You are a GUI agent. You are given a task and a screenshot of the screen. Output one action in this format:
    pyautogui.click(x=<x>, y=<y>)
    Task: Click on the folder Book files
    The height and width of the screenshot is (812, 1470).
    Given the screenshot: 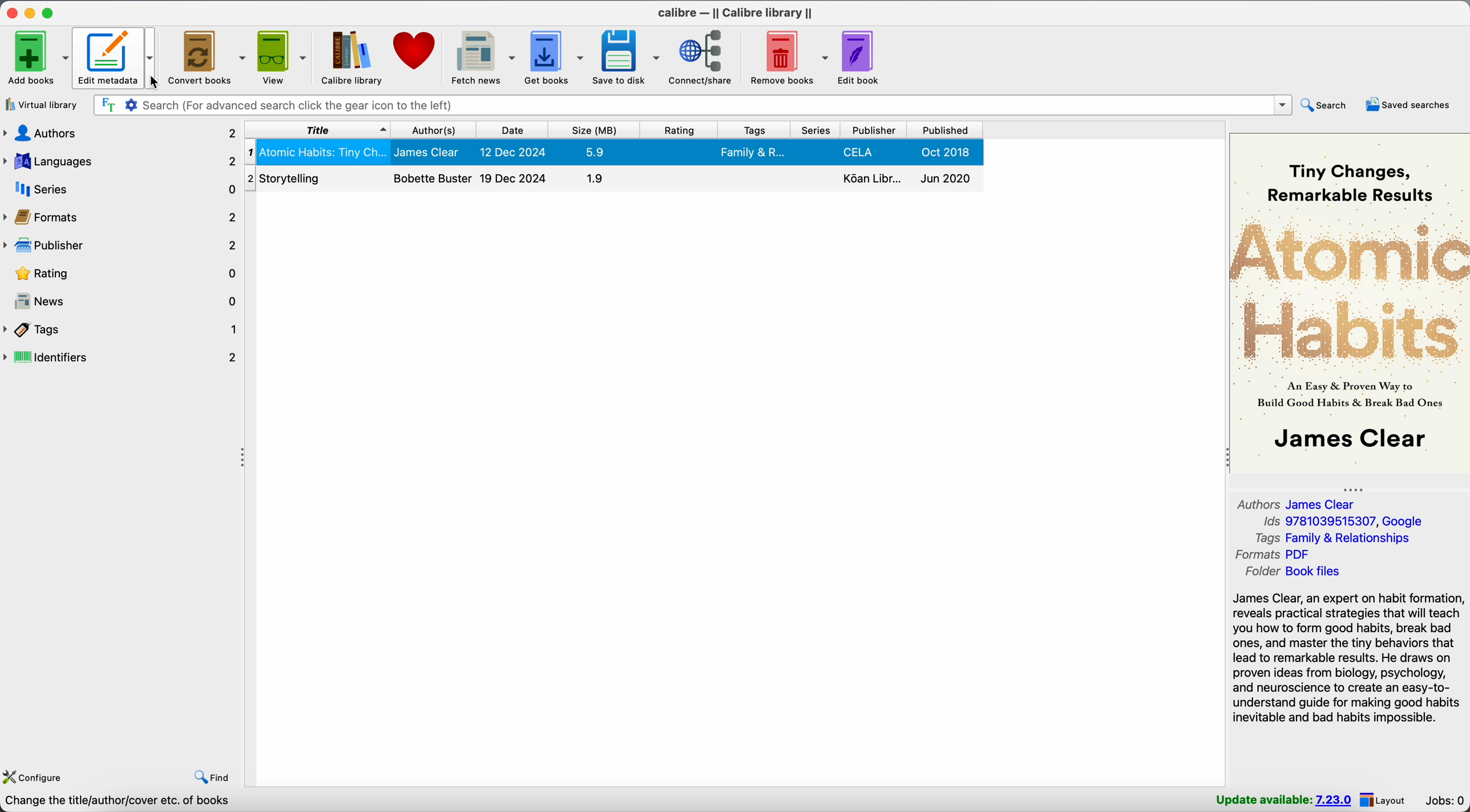 What is the action you would take?
    pyautogui.click(x=1295, y=572)
    